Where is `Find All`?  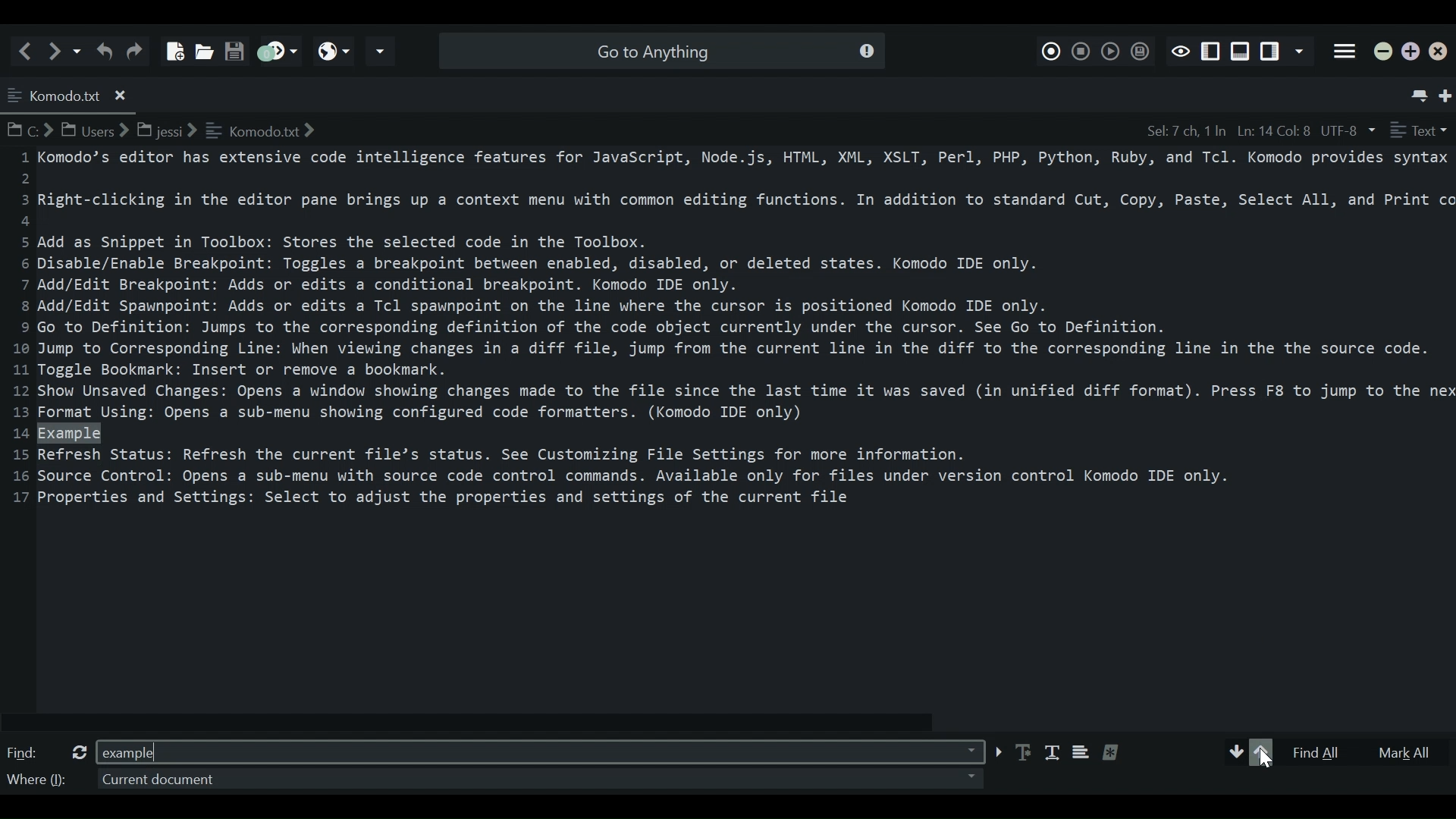 Find All is located at coordinates (1326, 752).